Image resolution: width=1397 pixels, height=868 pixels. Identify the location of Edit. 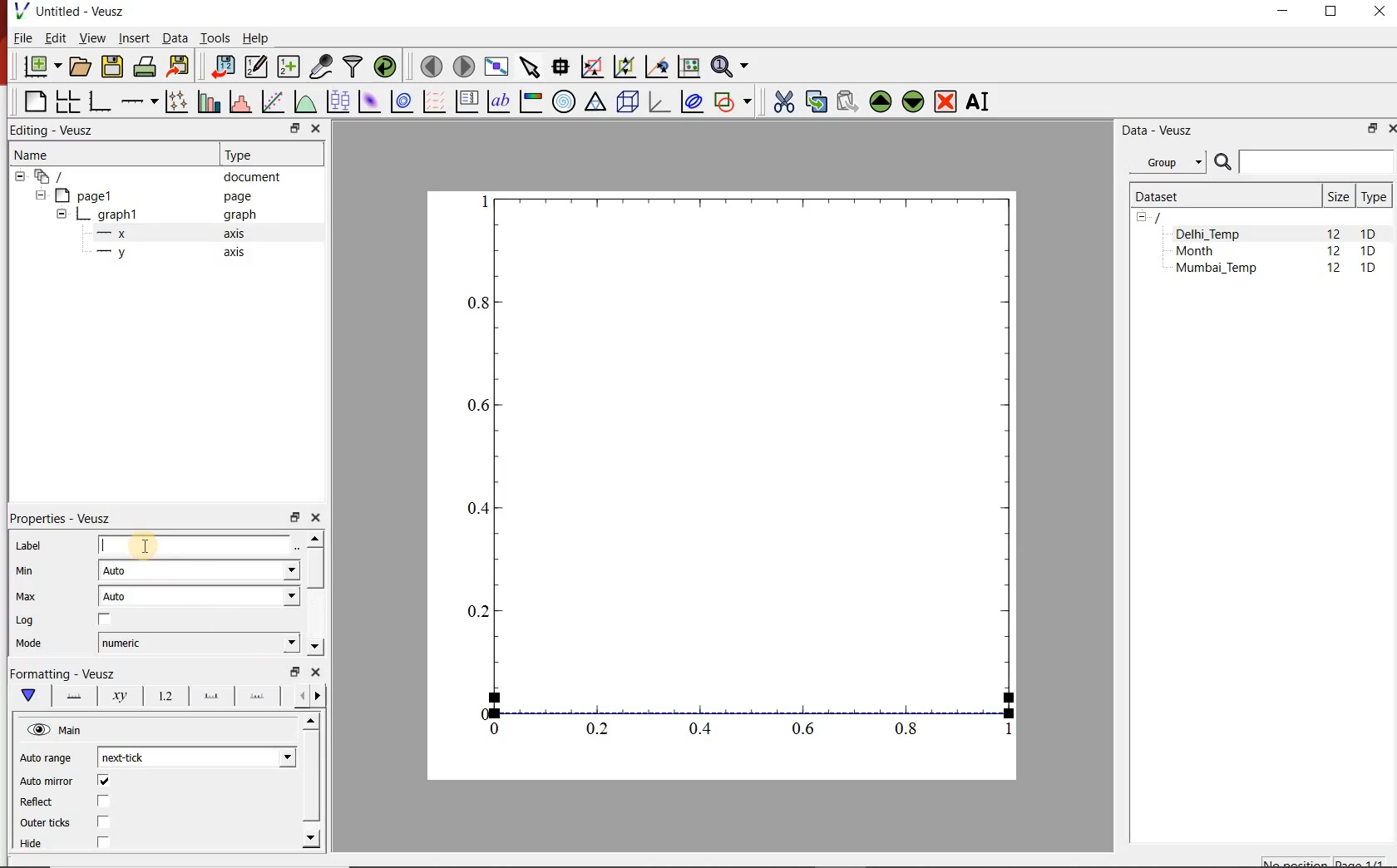
(54, 37).